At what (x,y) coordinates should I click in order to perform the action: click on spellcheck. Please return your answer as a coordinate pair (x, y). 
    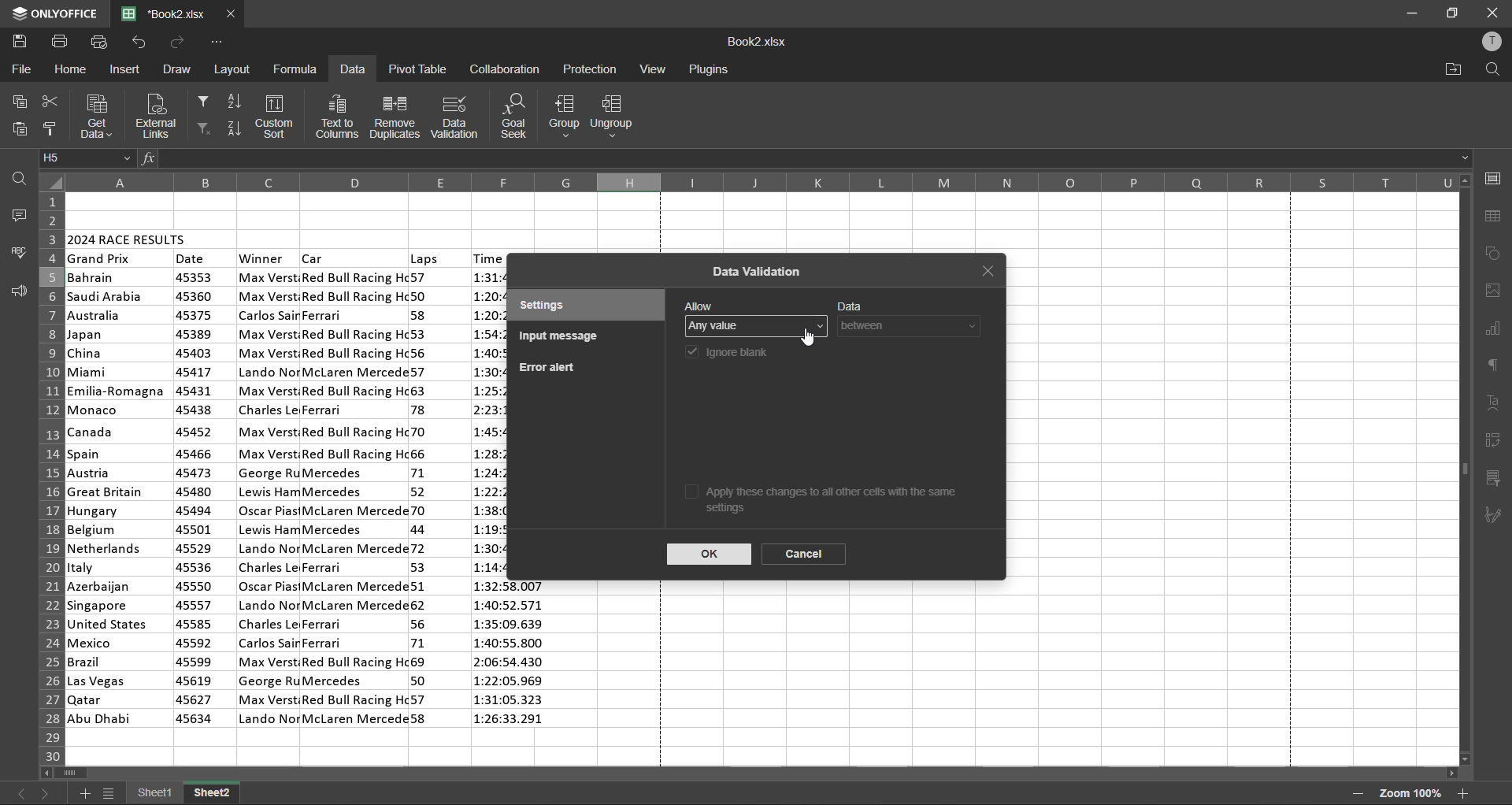
    Looking at the image, I should click on (20, 252).